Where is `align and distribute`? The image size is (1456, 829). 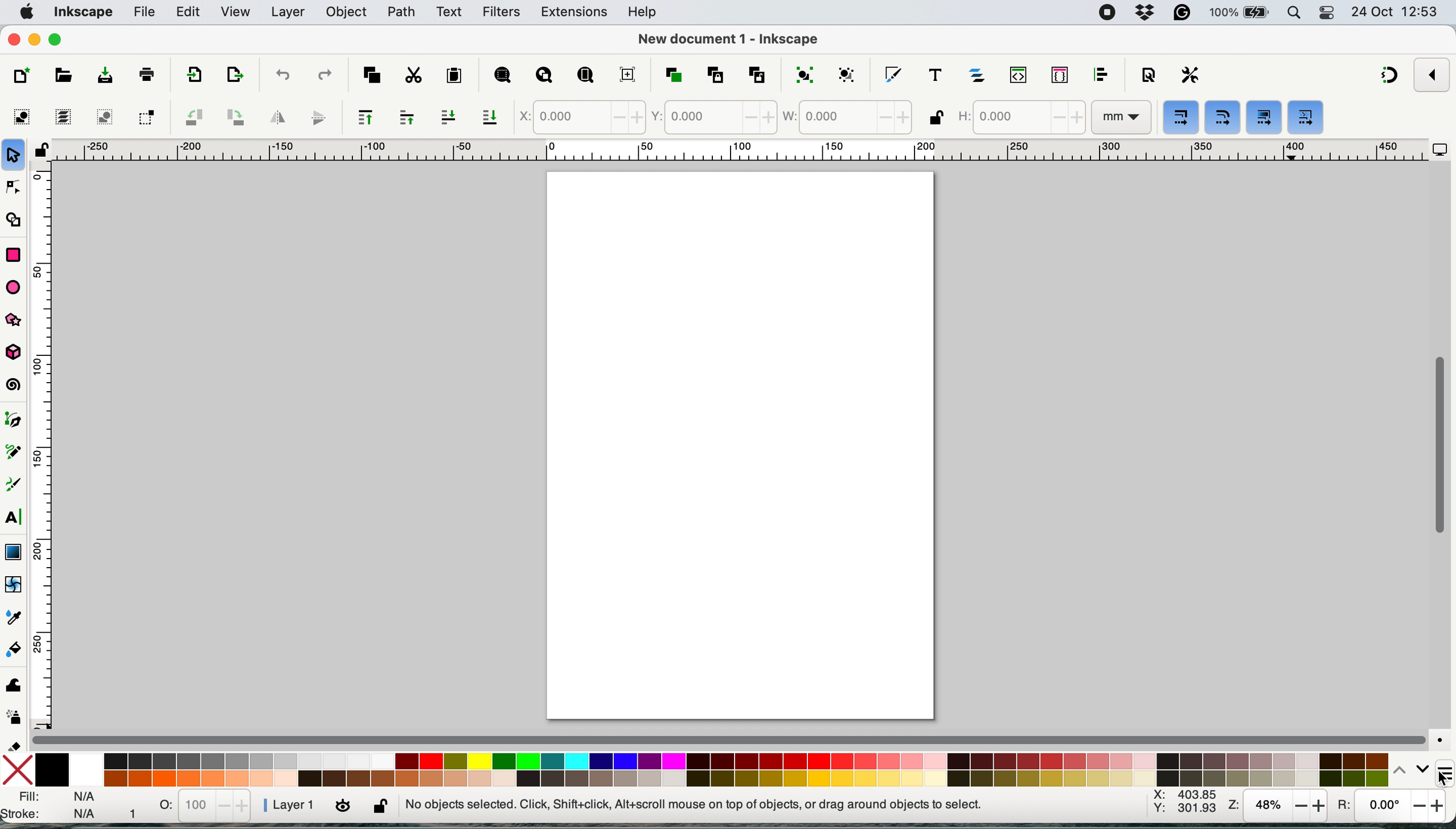
align and distribute is located at coordinates (1101, 75).